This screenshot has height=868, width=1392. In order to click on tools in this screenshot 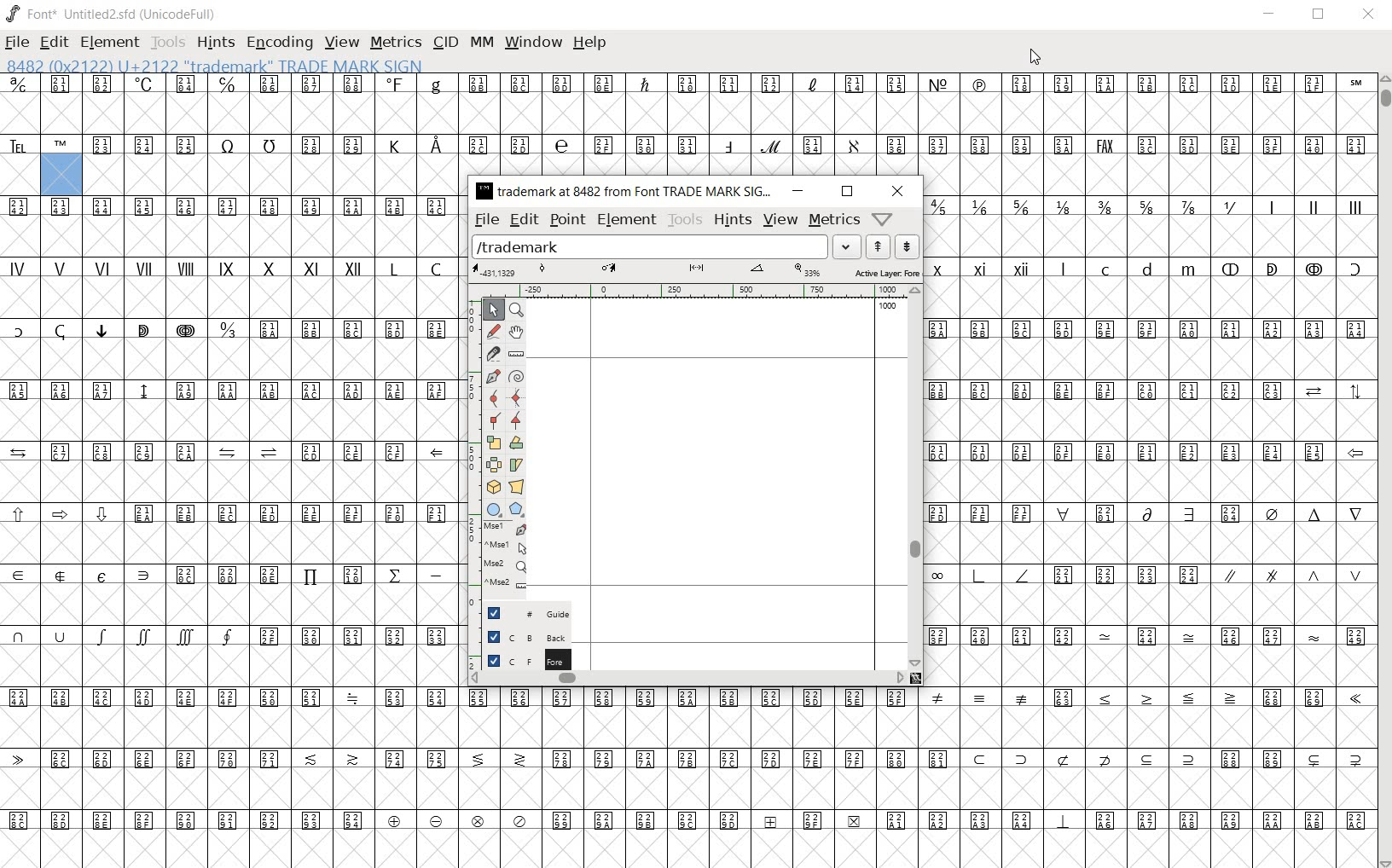, I will do `click(683, 220)`.